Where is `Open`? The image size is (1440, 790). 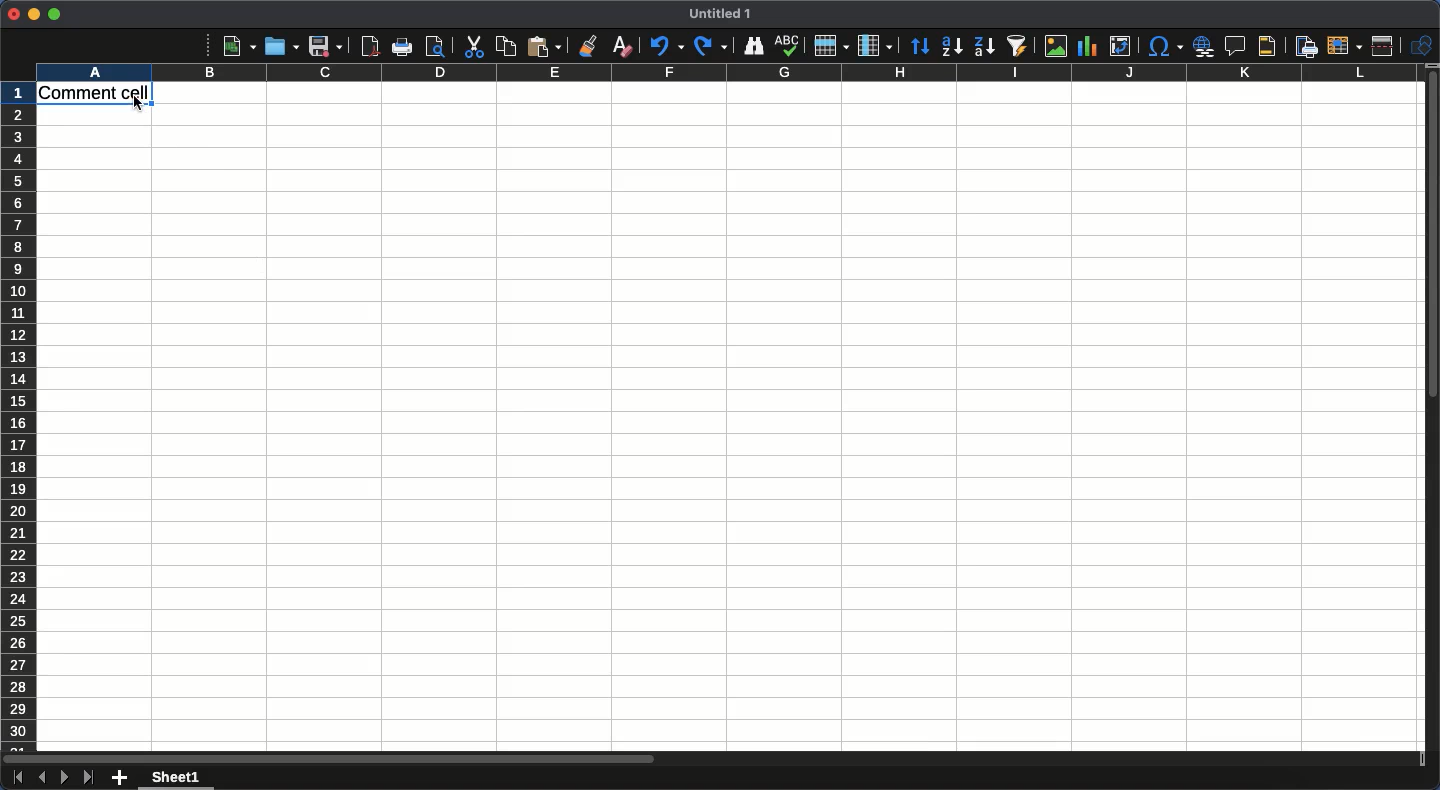 Open is located at coordinates (281, 48).